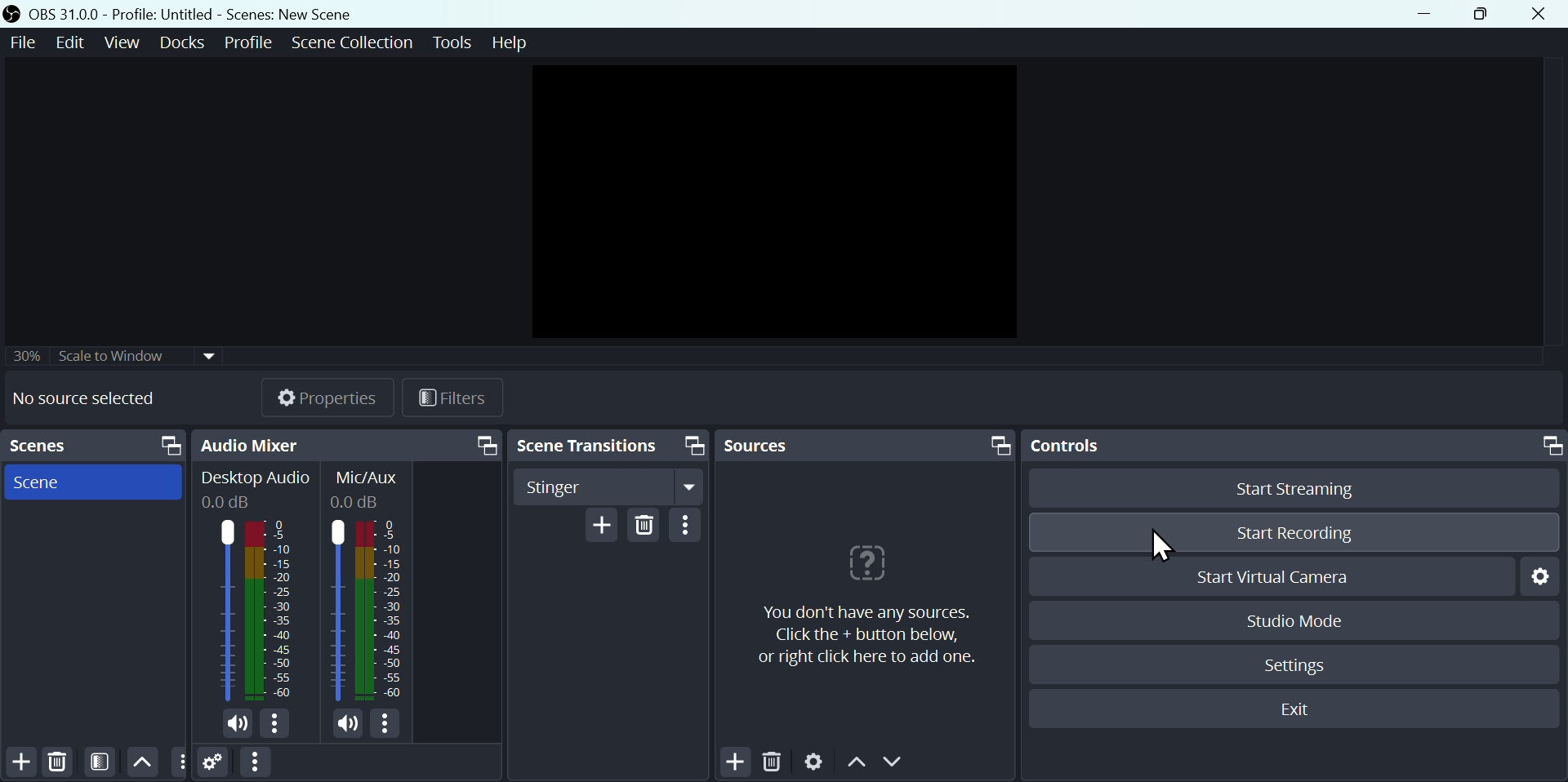  Describe the element at coordinates (506, 47) in the screenshot. I see `Help` at that location.